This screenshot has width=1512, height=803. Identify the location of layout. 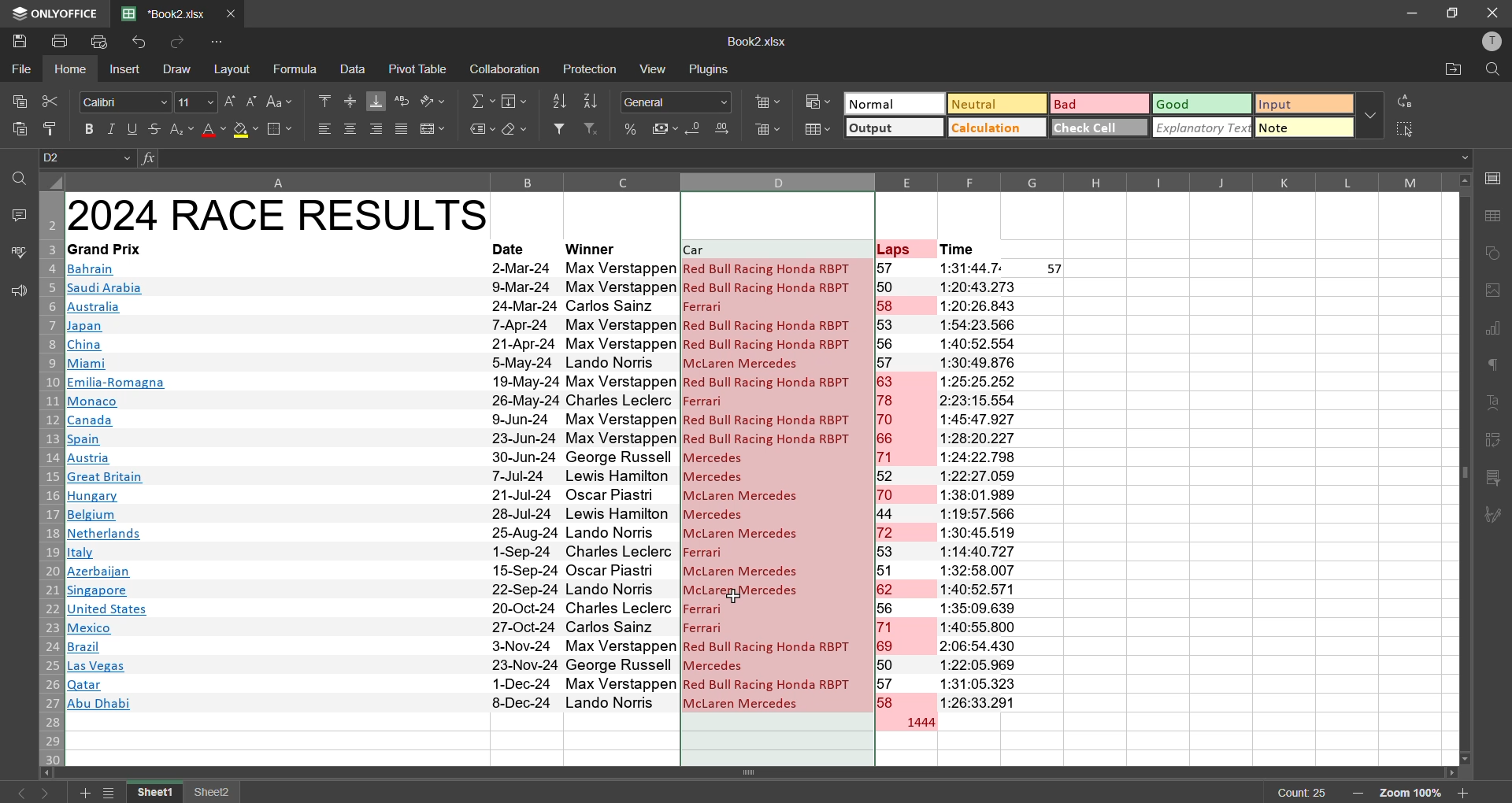
(235, 69).